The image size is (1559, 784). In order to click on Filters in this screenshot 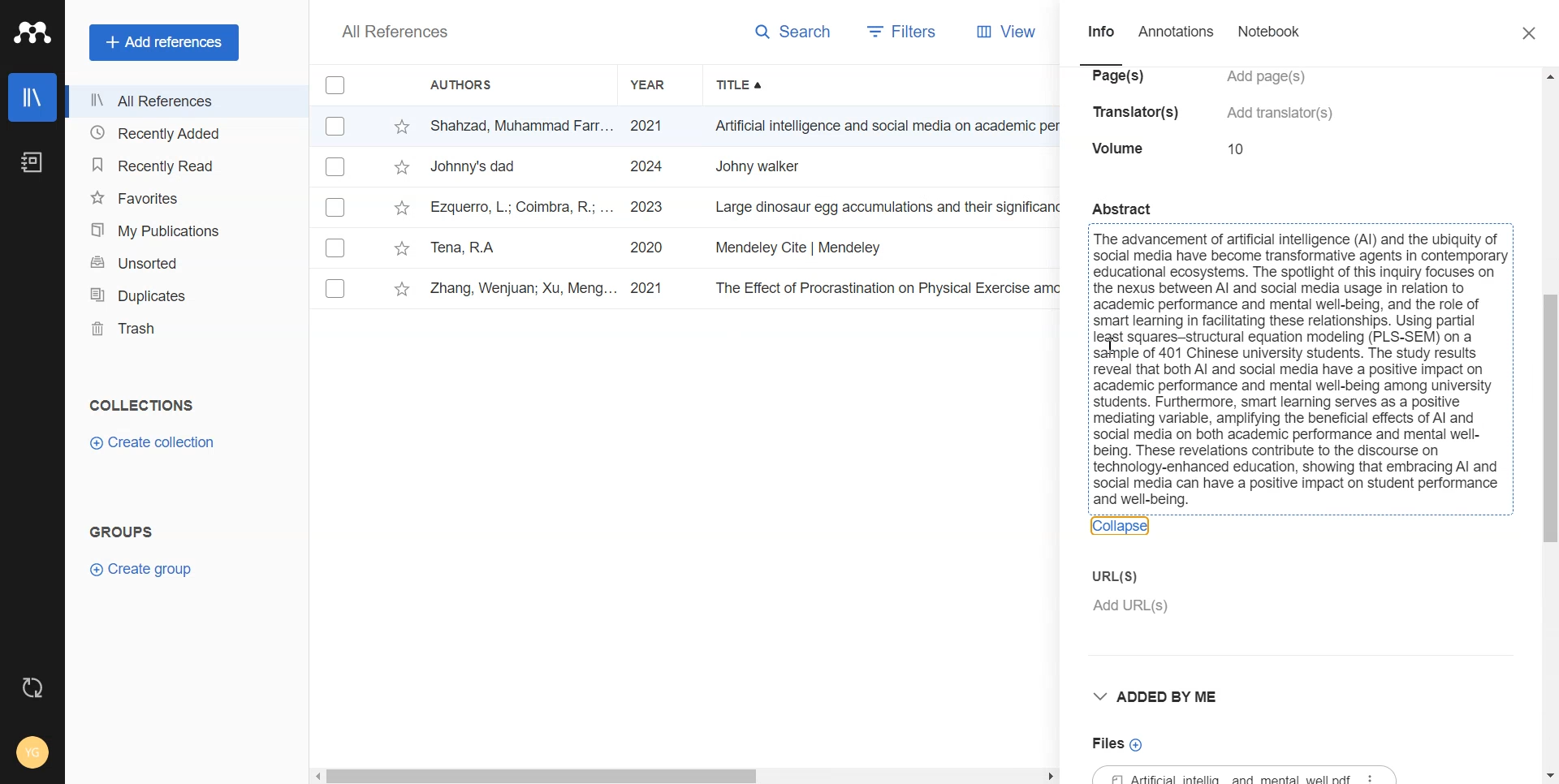, I will do `click(897, 32)`.